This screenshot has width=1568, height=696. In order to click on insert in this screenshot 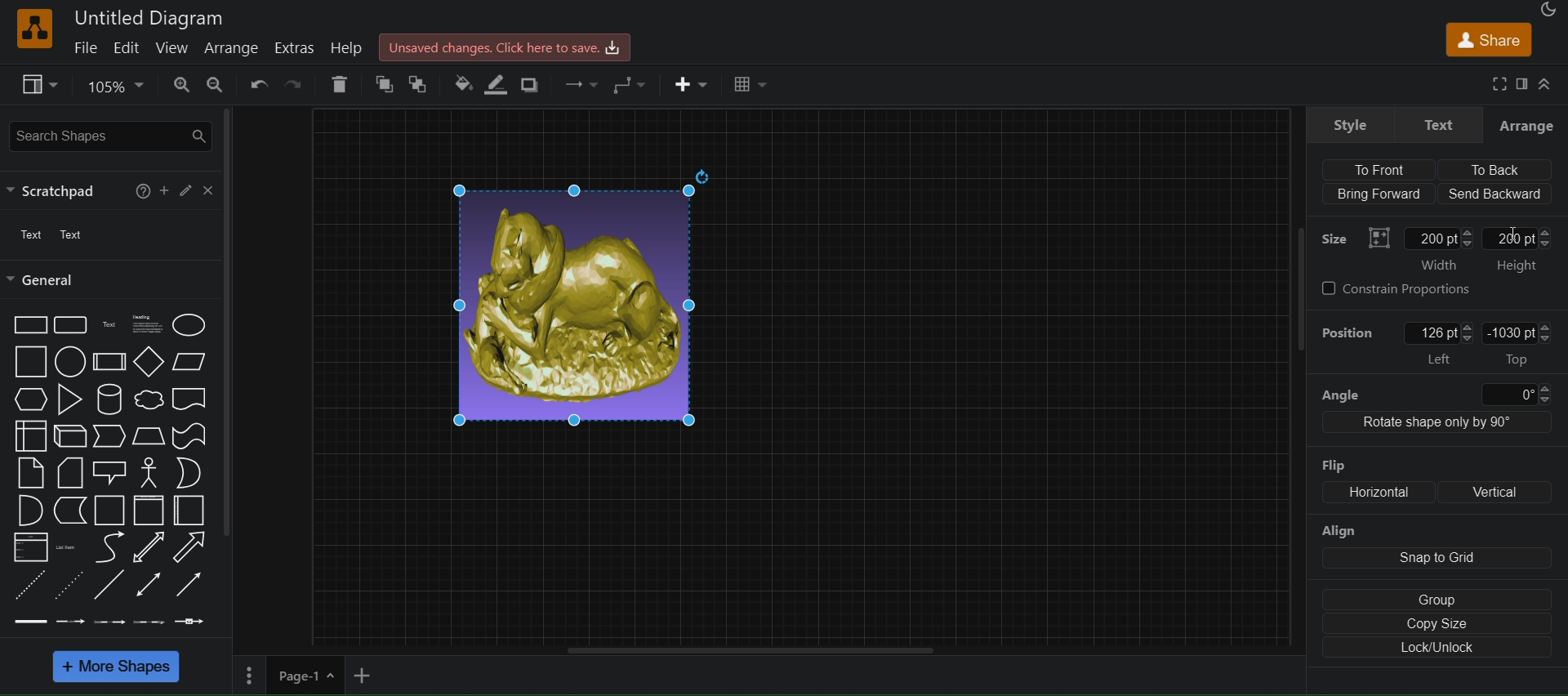, I will do `click(692, 87)`.